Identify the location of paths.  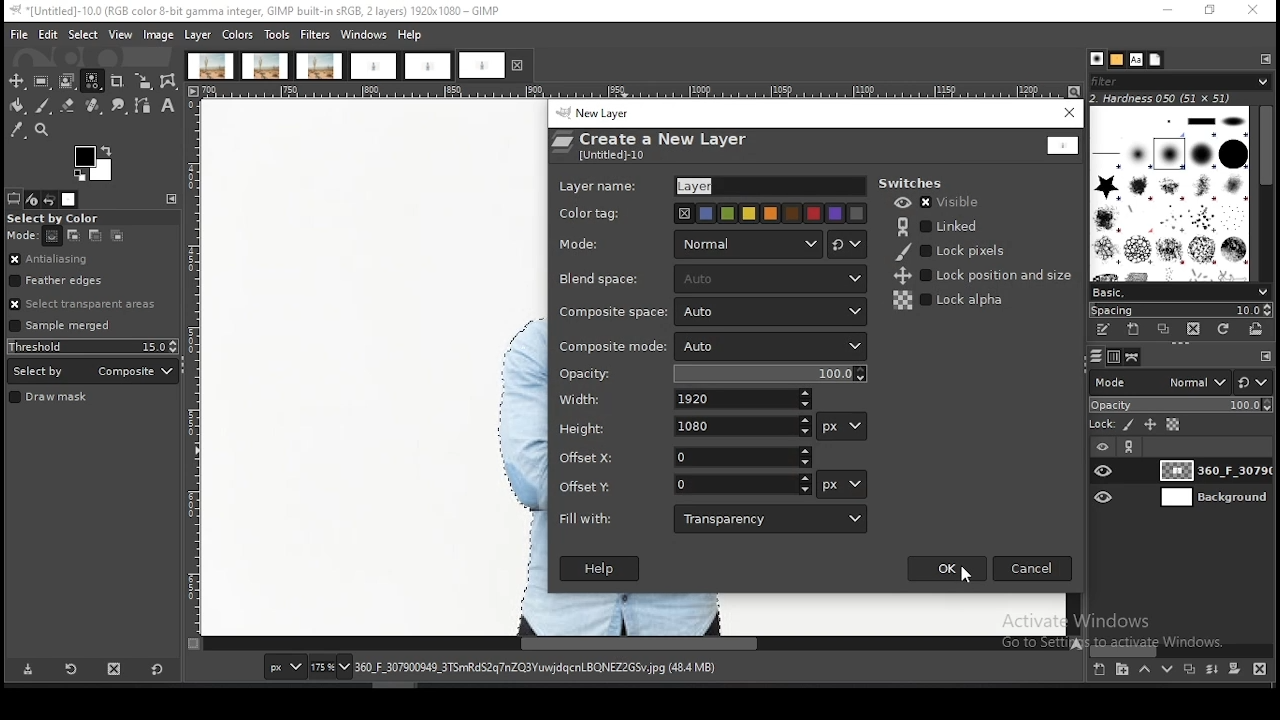
(1135, 357).